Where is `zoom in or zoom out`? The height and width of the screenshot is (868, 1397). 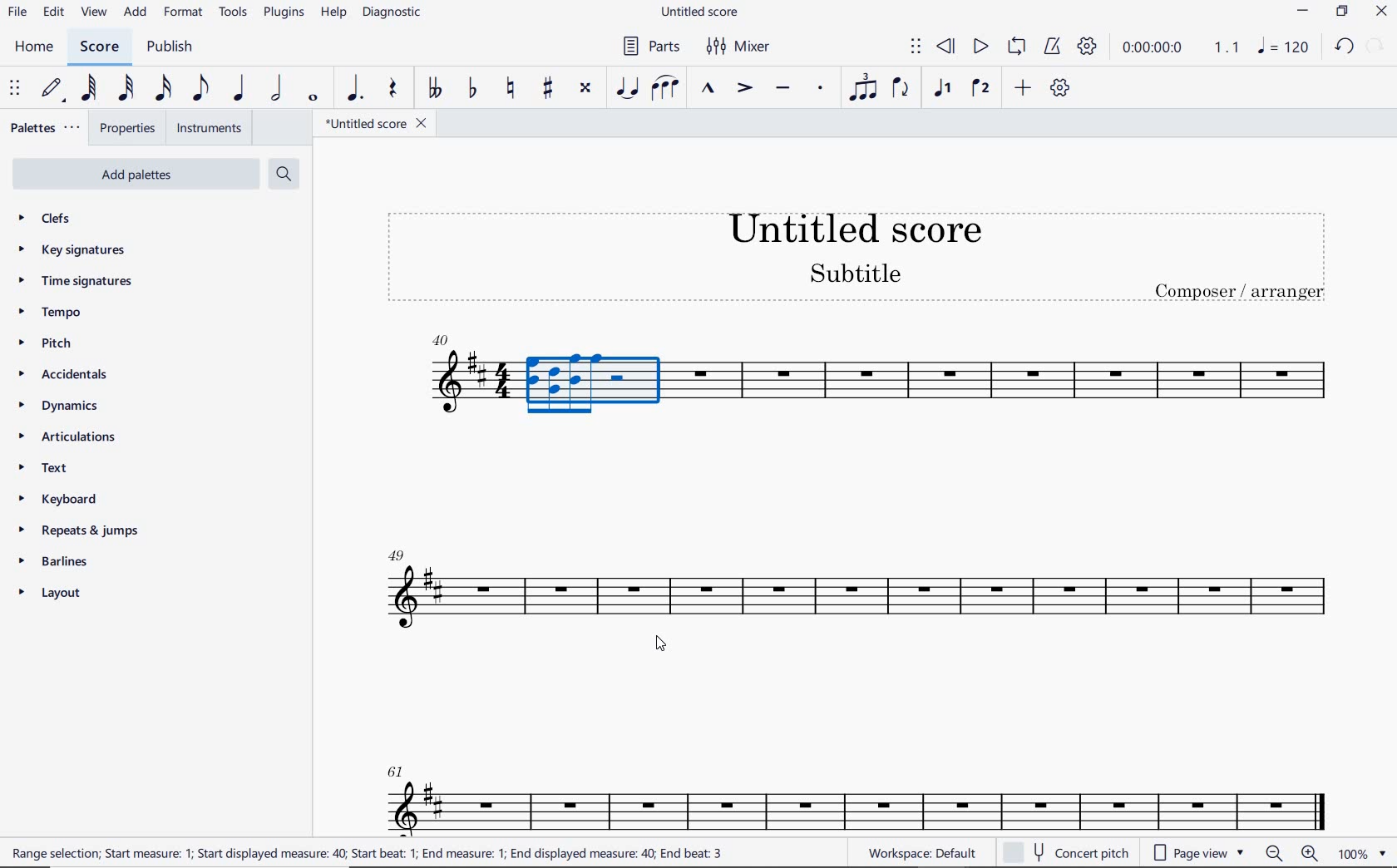 zoom in or zoom out is located at coordinates (1294, 855).